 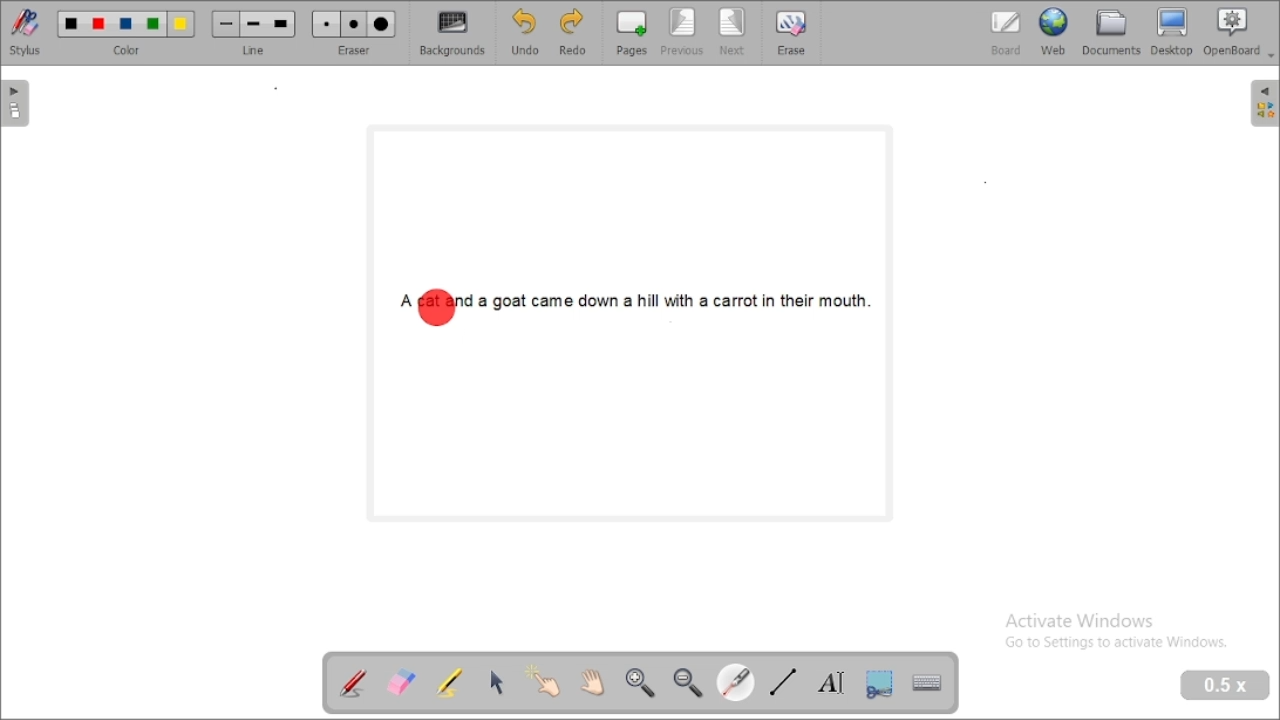 I want to click on stylus, so click(x=26, y=33).